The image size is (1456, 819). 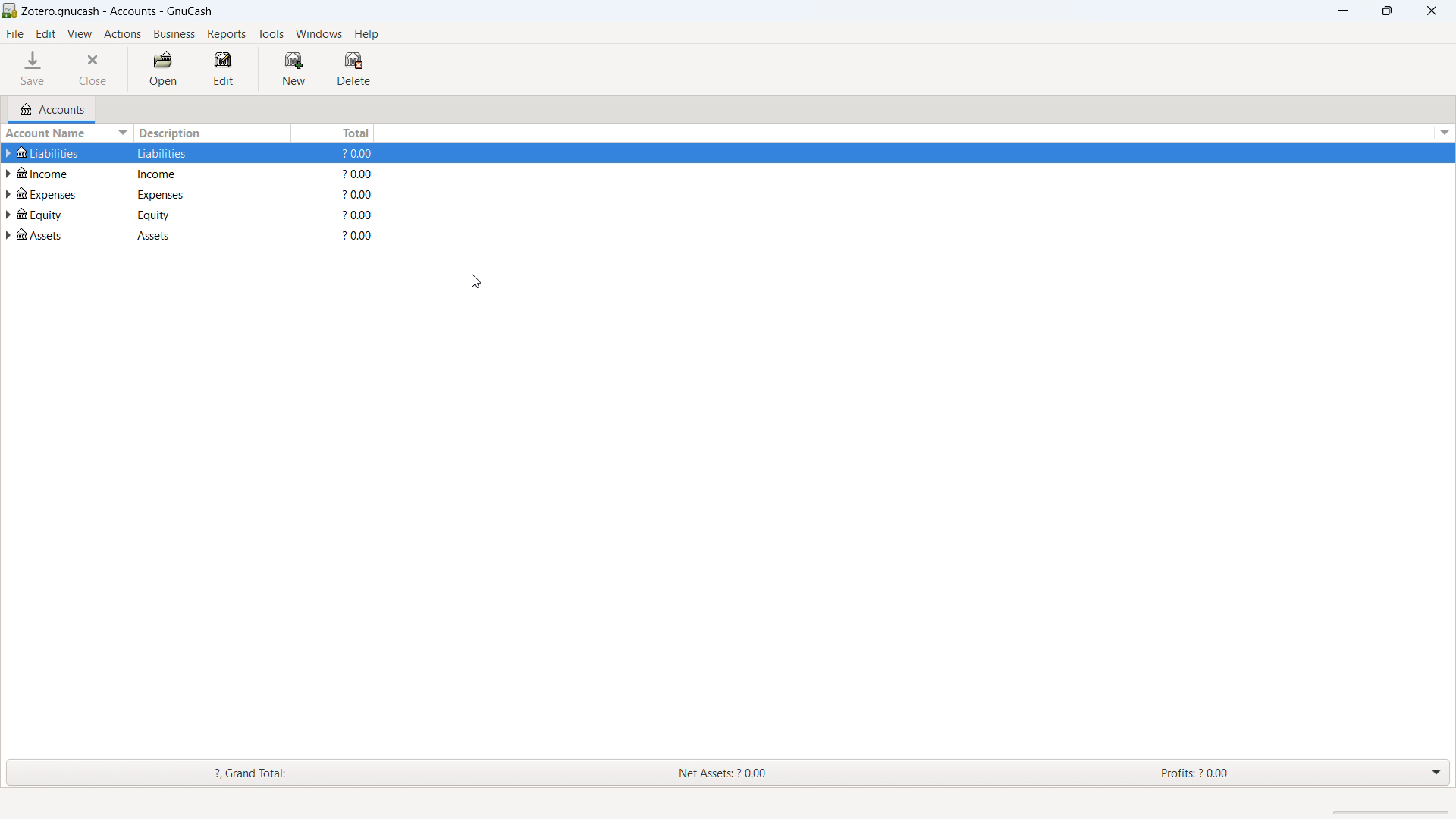 What do you see at coordinates (175, 34) in the screenshot?
I see `business` at bounding box center [175, 34].